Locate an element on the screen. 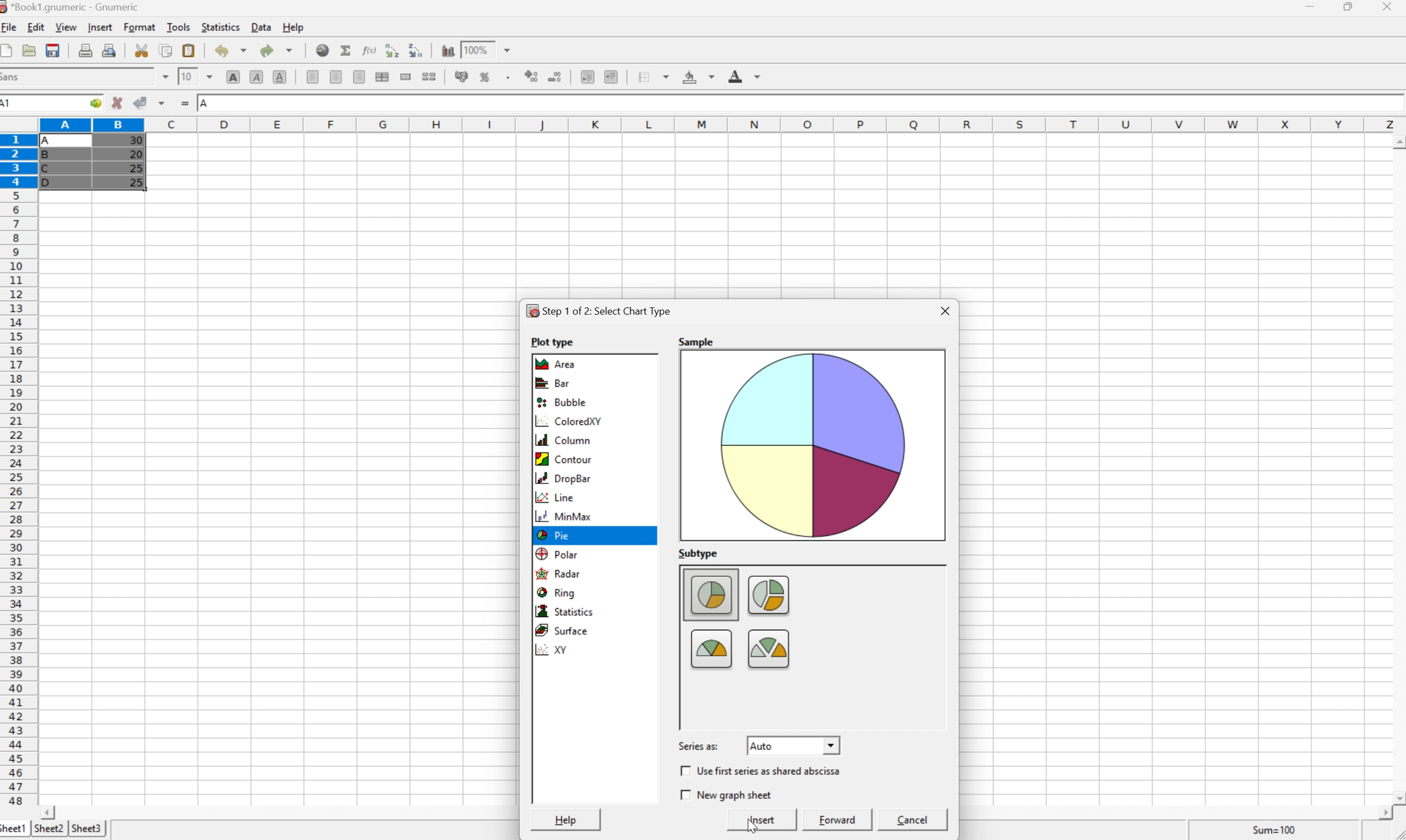  10 is located at coordinates (187, 76).